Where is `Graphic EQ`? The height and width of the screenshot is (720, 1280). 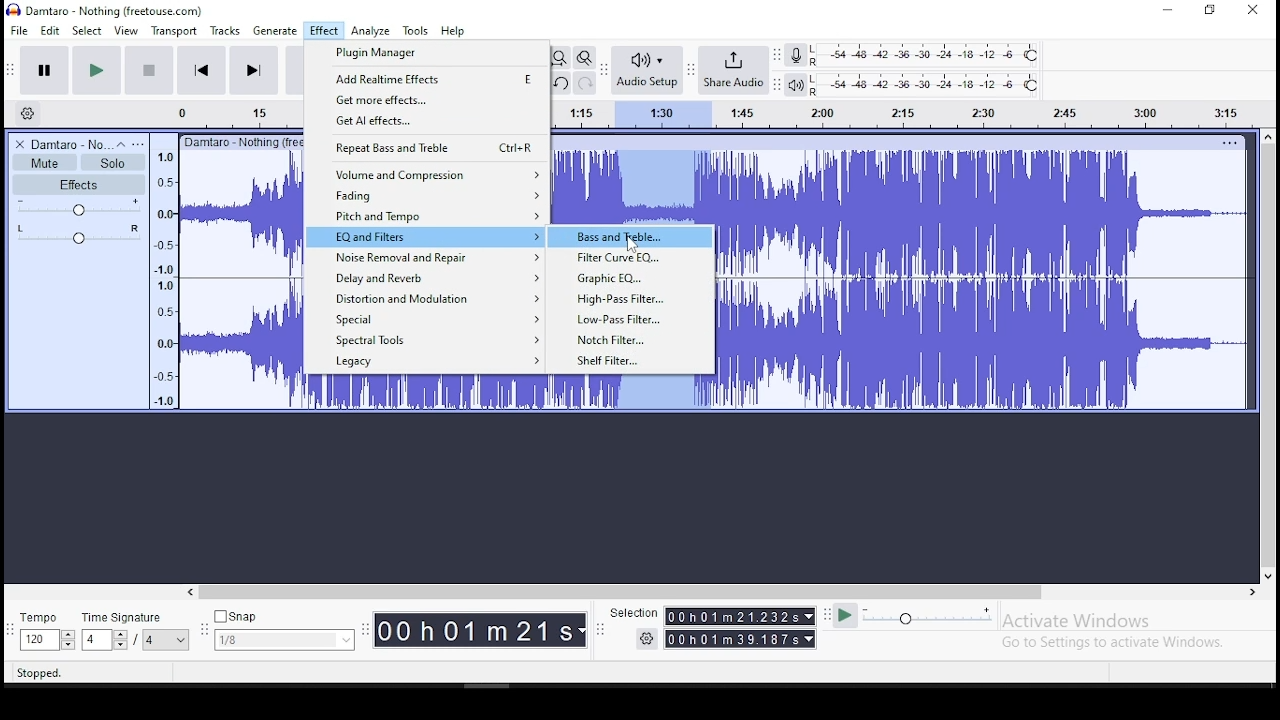
Graphic EQ is located at coordinates (632, 277).